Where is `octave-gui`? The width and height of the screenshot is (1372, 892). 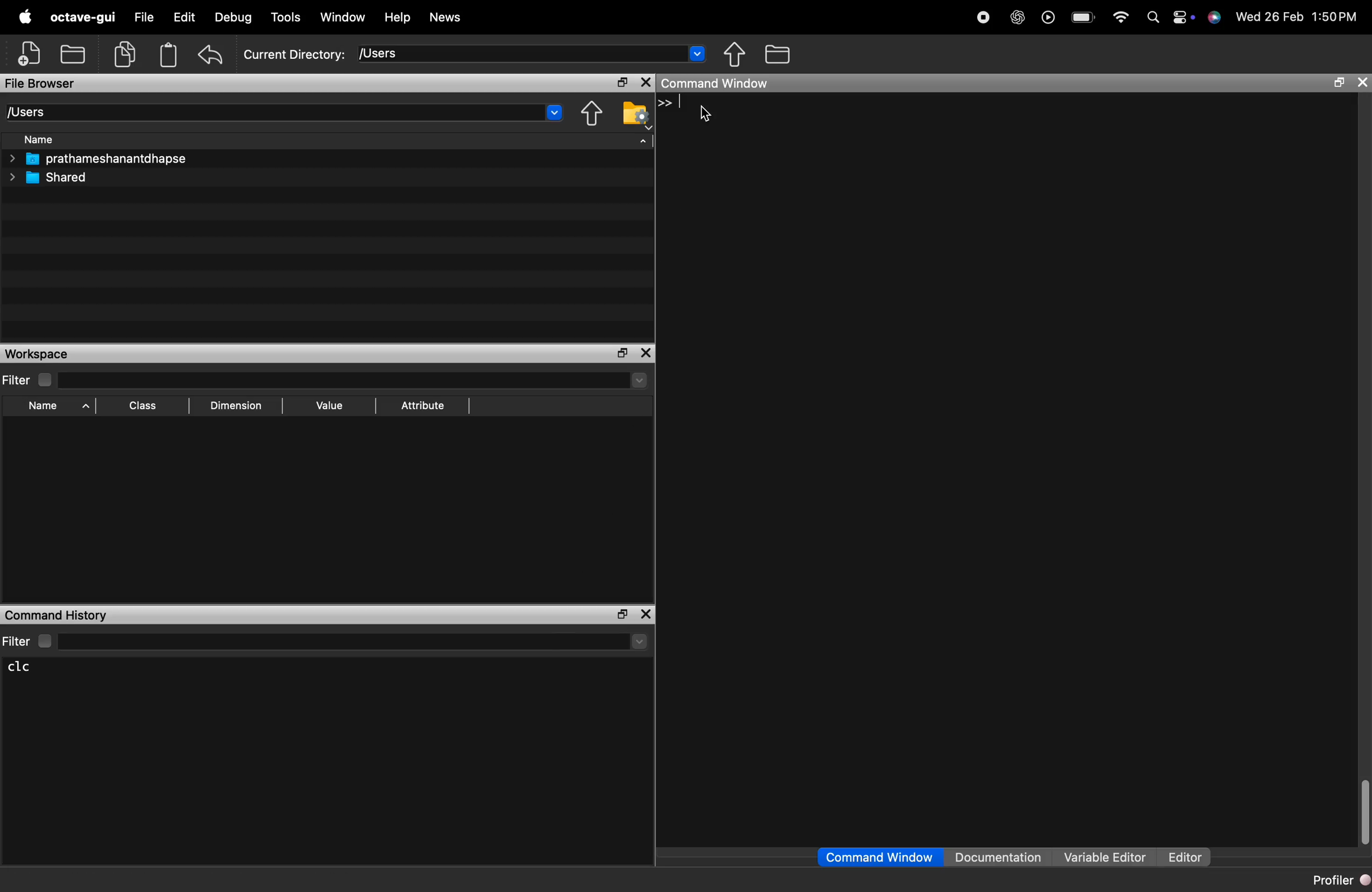
octave-gui is located at coordinates (85, 17).